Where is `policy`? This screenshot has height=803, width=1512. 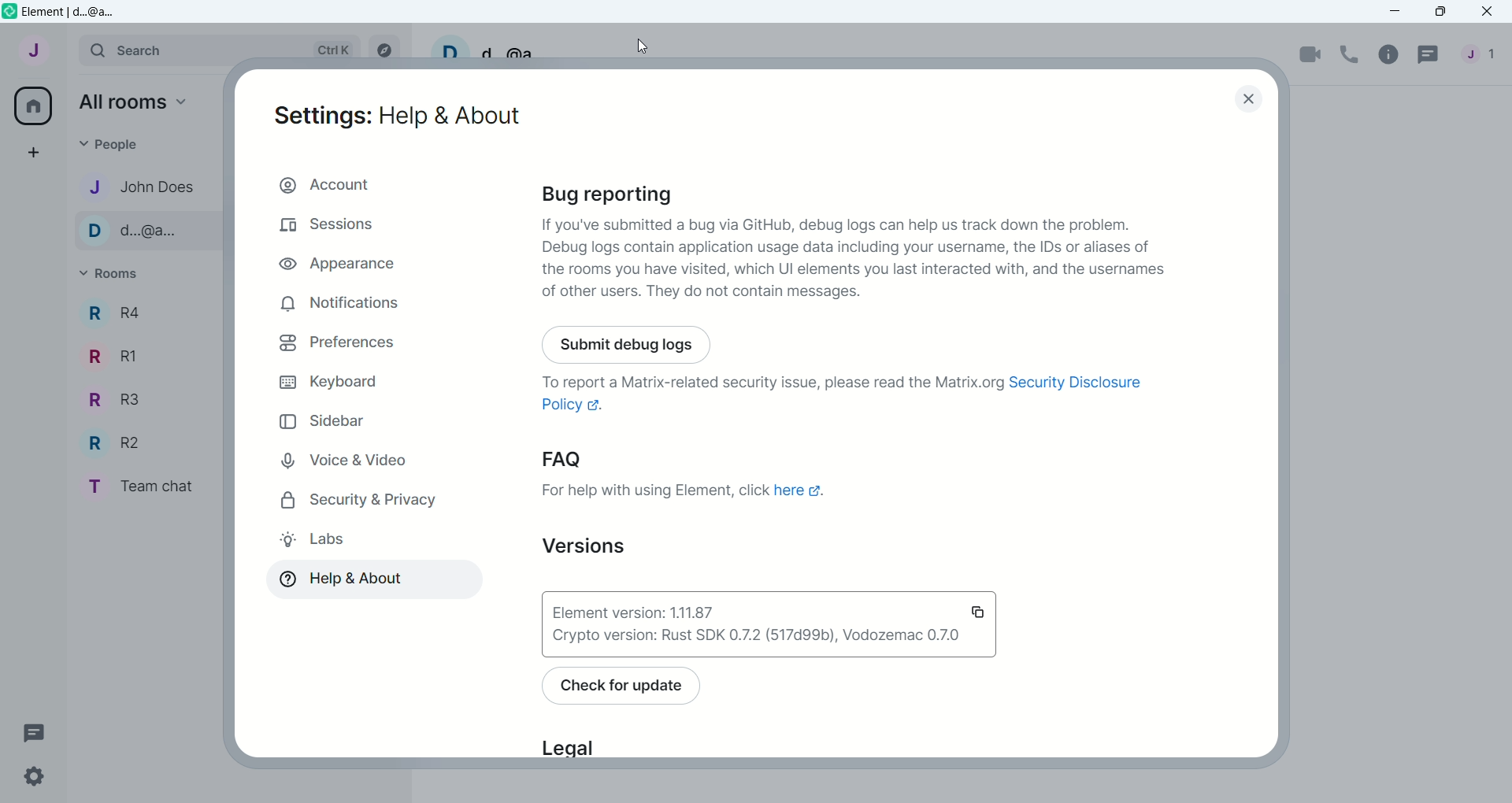 policy is located at coordinates (578, 409).